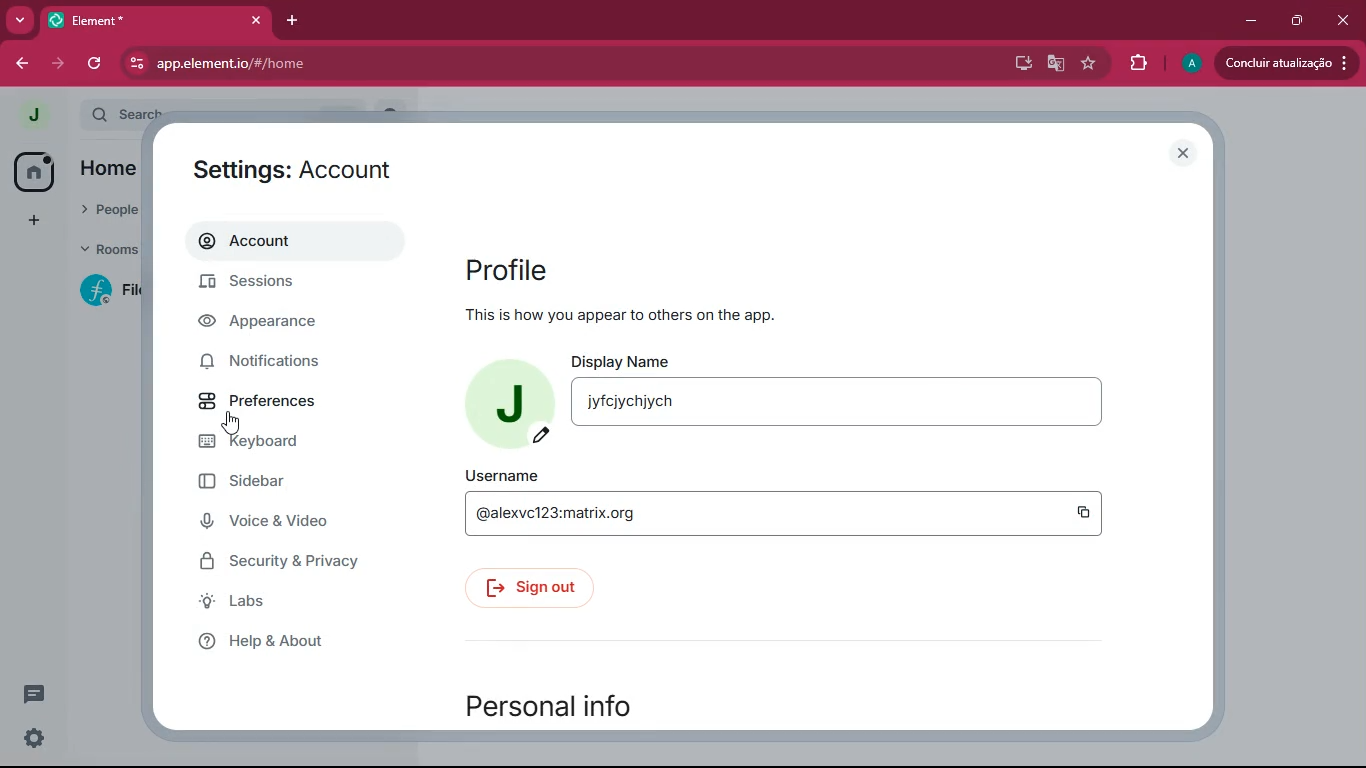 This screenshot has height=768, width=1366. What do you see at coordinates (266, 602) in the screenshot?
I see `labs` at bounding box center [266, 602].